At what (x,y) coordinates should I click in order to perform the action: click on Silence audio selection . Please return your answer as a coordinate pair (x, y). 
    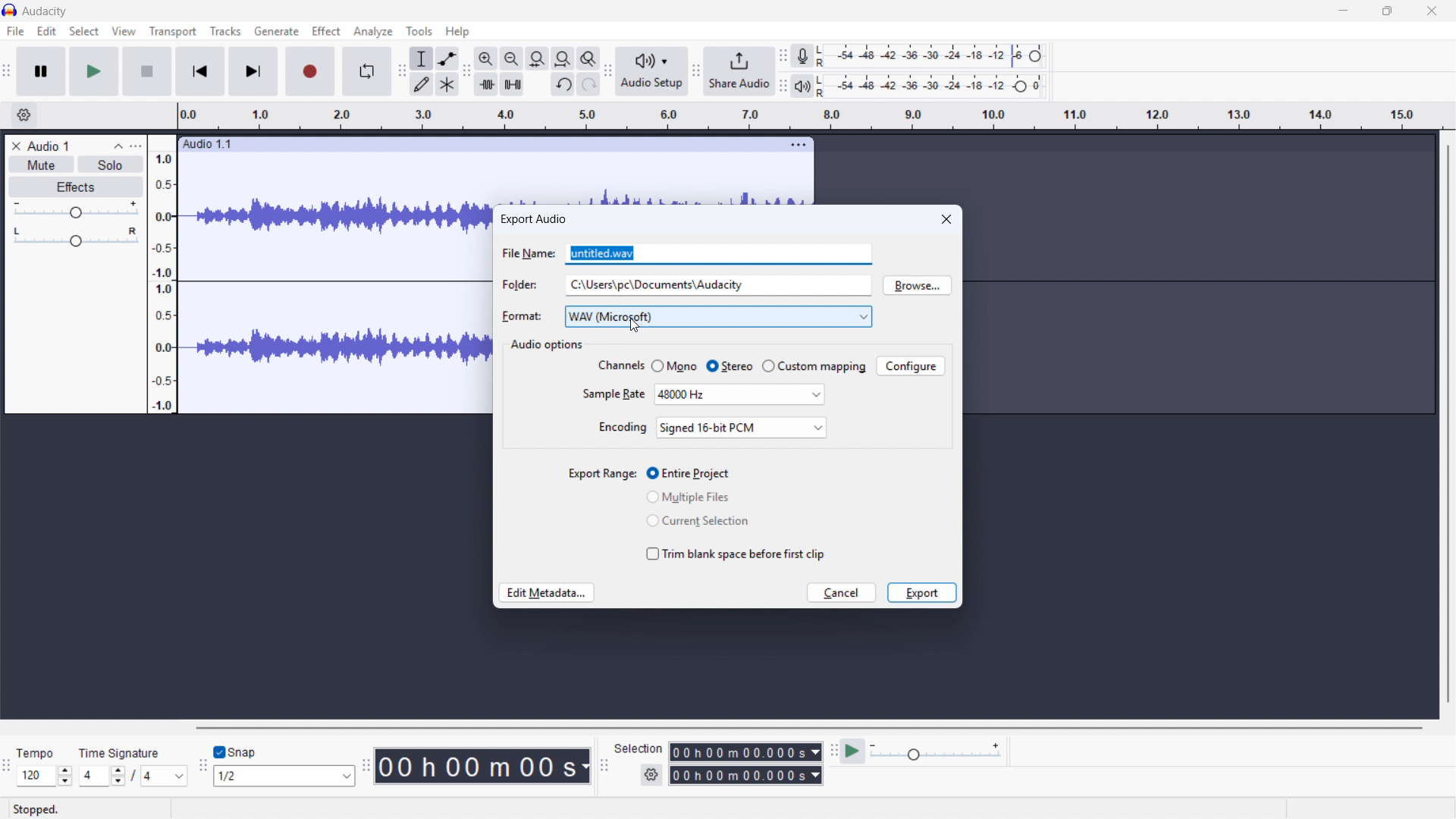
    Looking at the image, I should click on (513, 84).